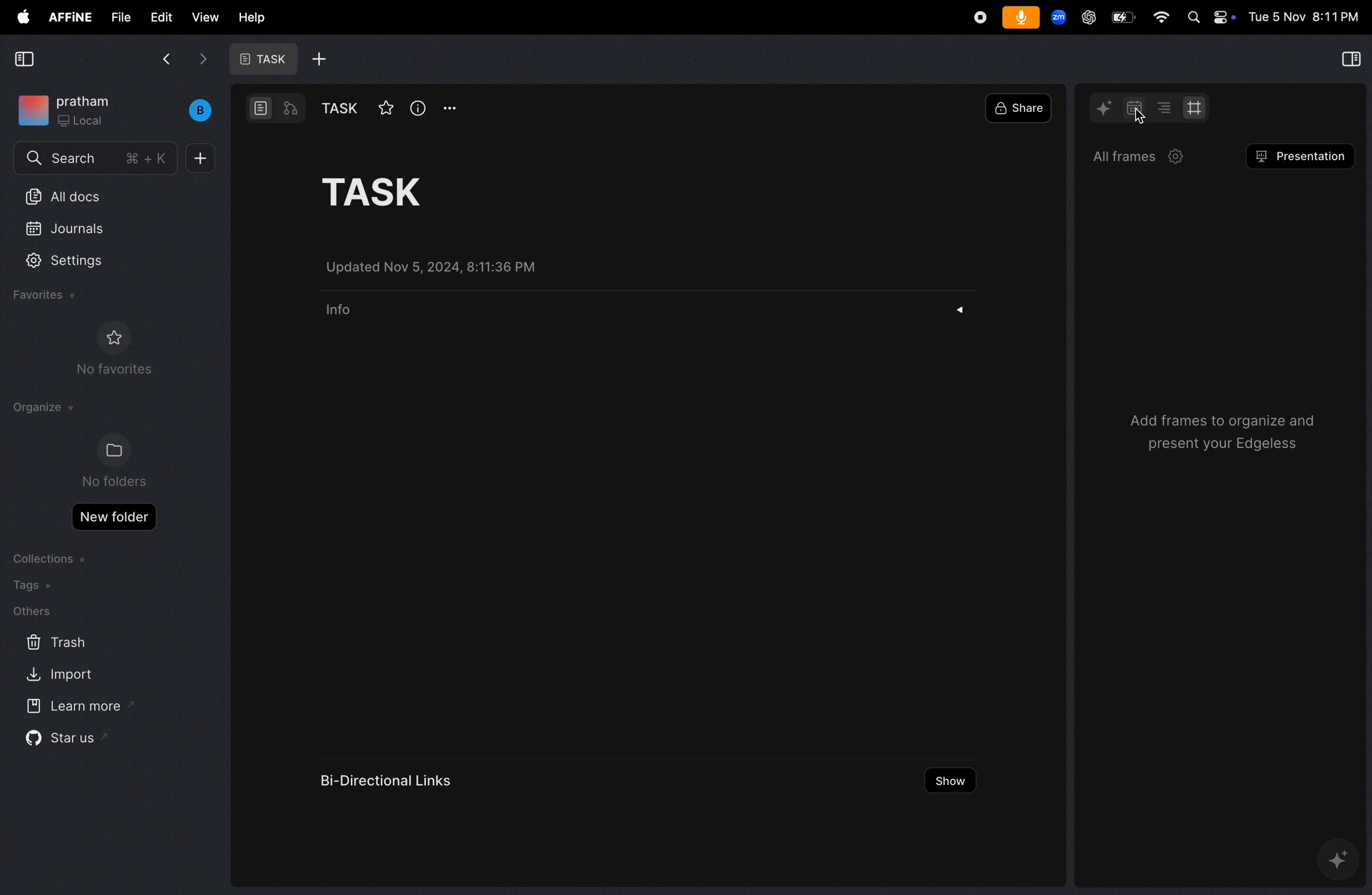 The image size is (1372, 895). What do you see at coordinates (156, 17) in the screenshot?
I see `edit` at bounding box center [156, 17].